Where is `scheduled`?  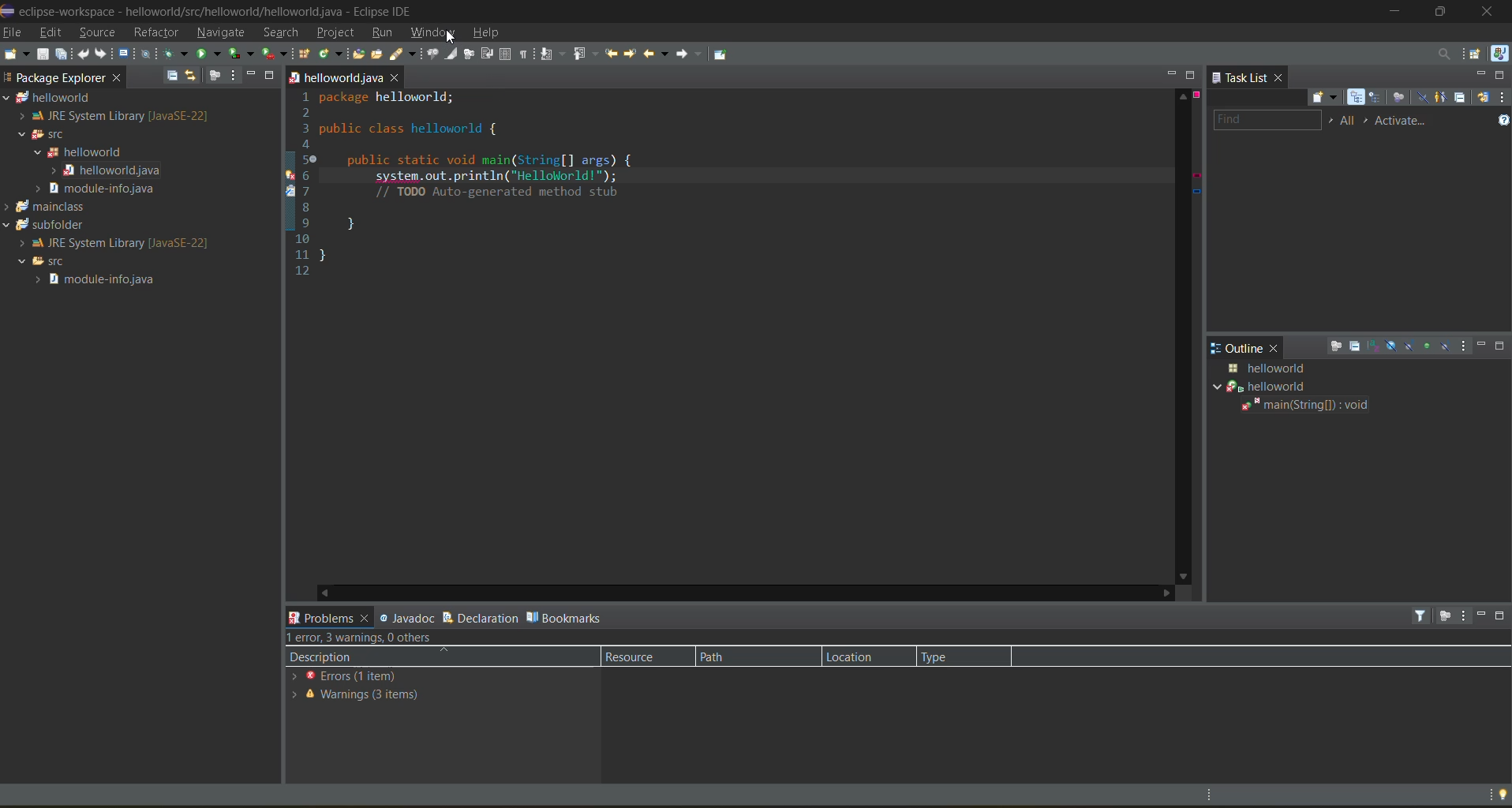 scheduled is located at coordinates (1376, 97).